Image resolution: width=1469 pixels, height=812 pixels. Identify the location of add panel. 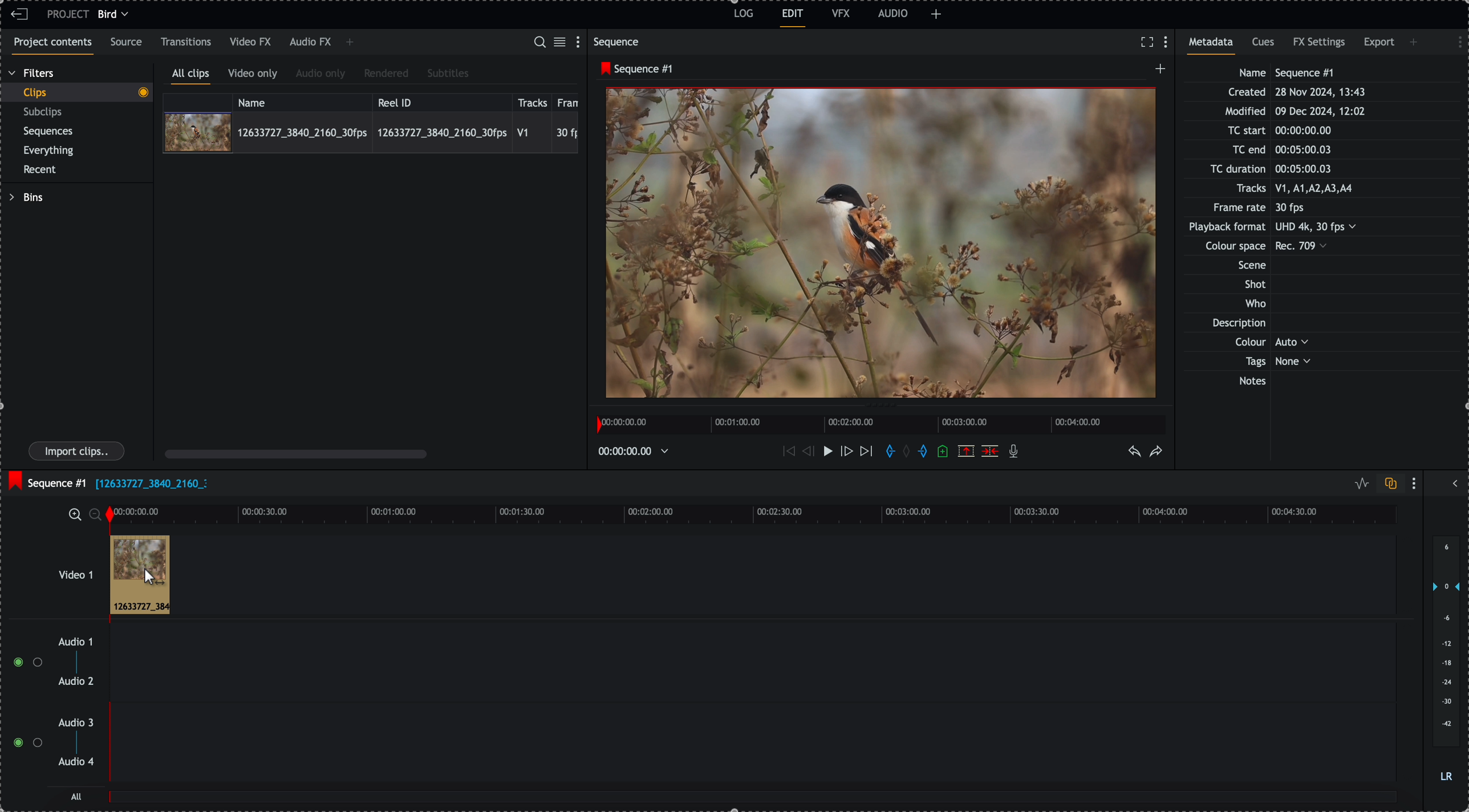
(936, 14).